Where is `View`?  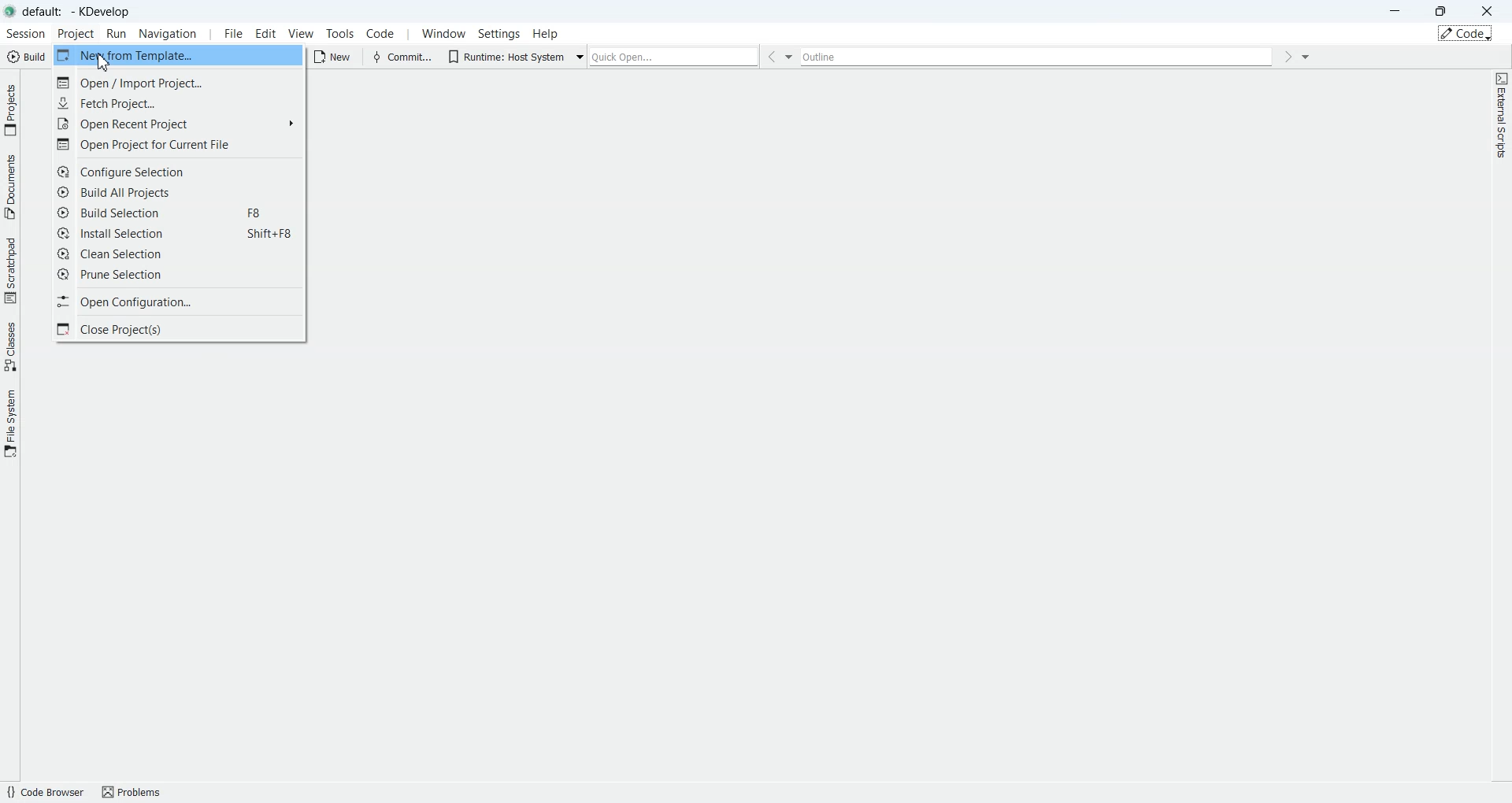
View is located at coordinates (302, 33).